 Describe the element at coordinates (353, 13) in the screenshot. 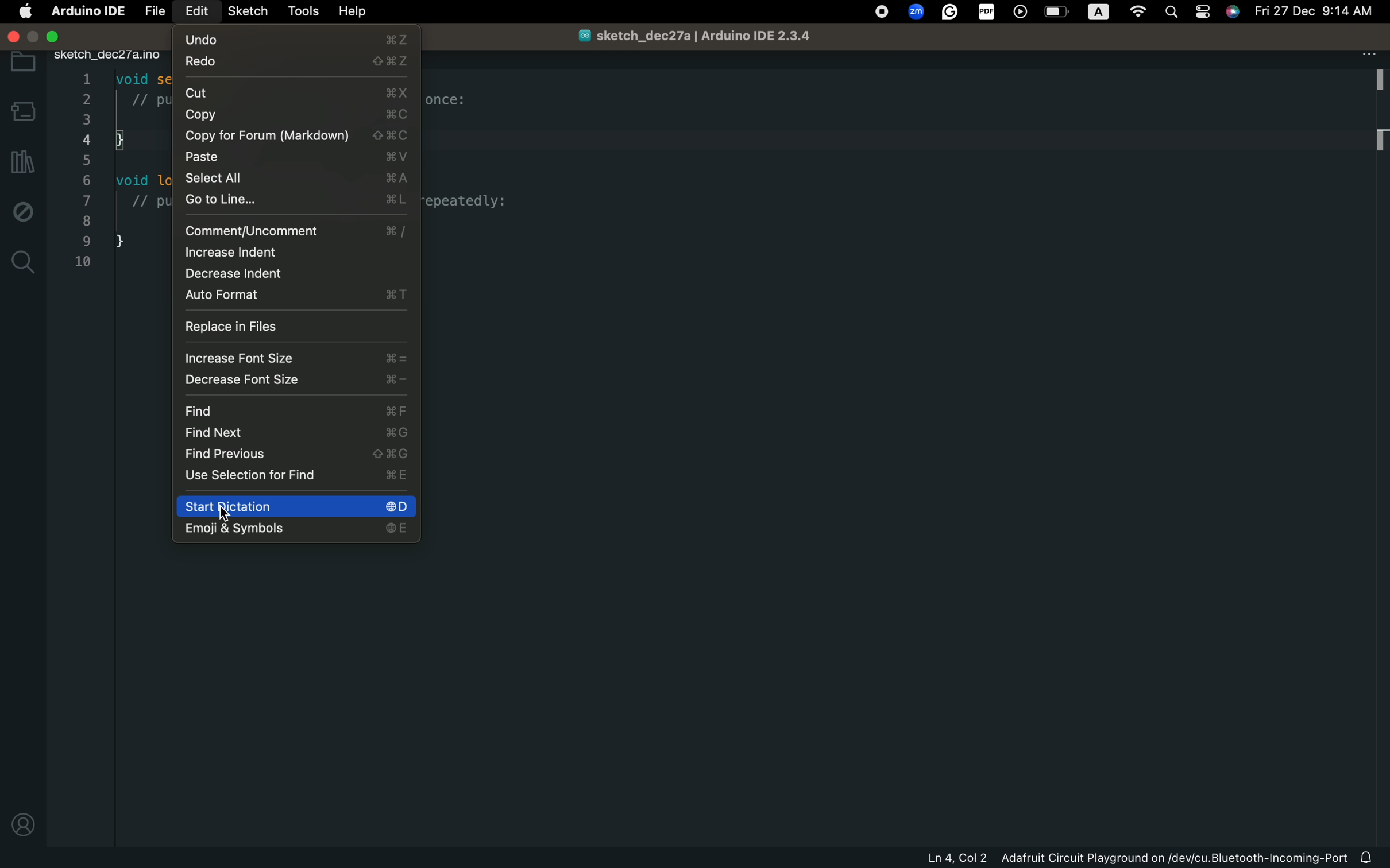

I see `help` at that location.